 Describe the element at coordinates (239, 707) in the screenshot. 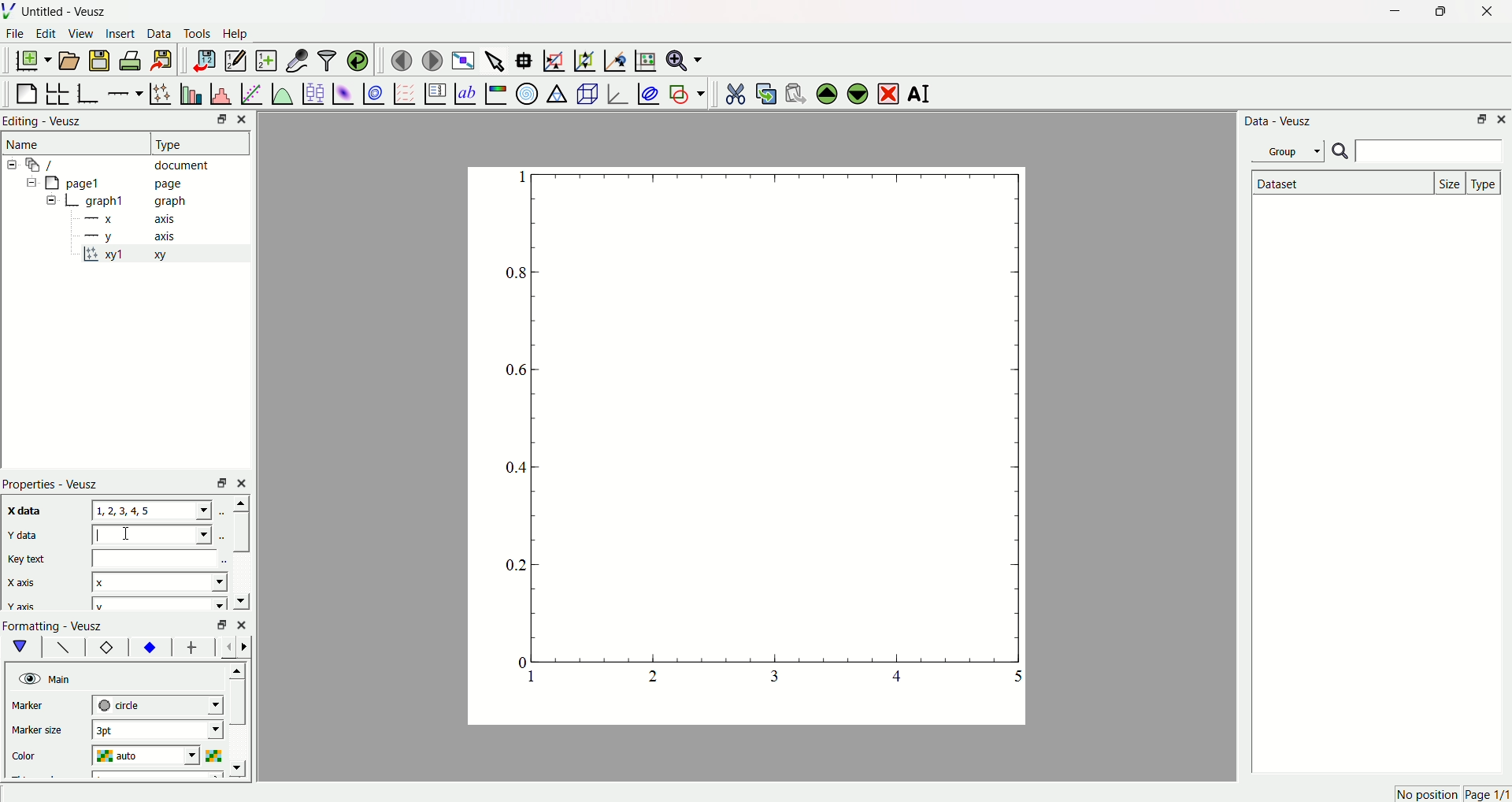

I see `scroll bar` at that location.